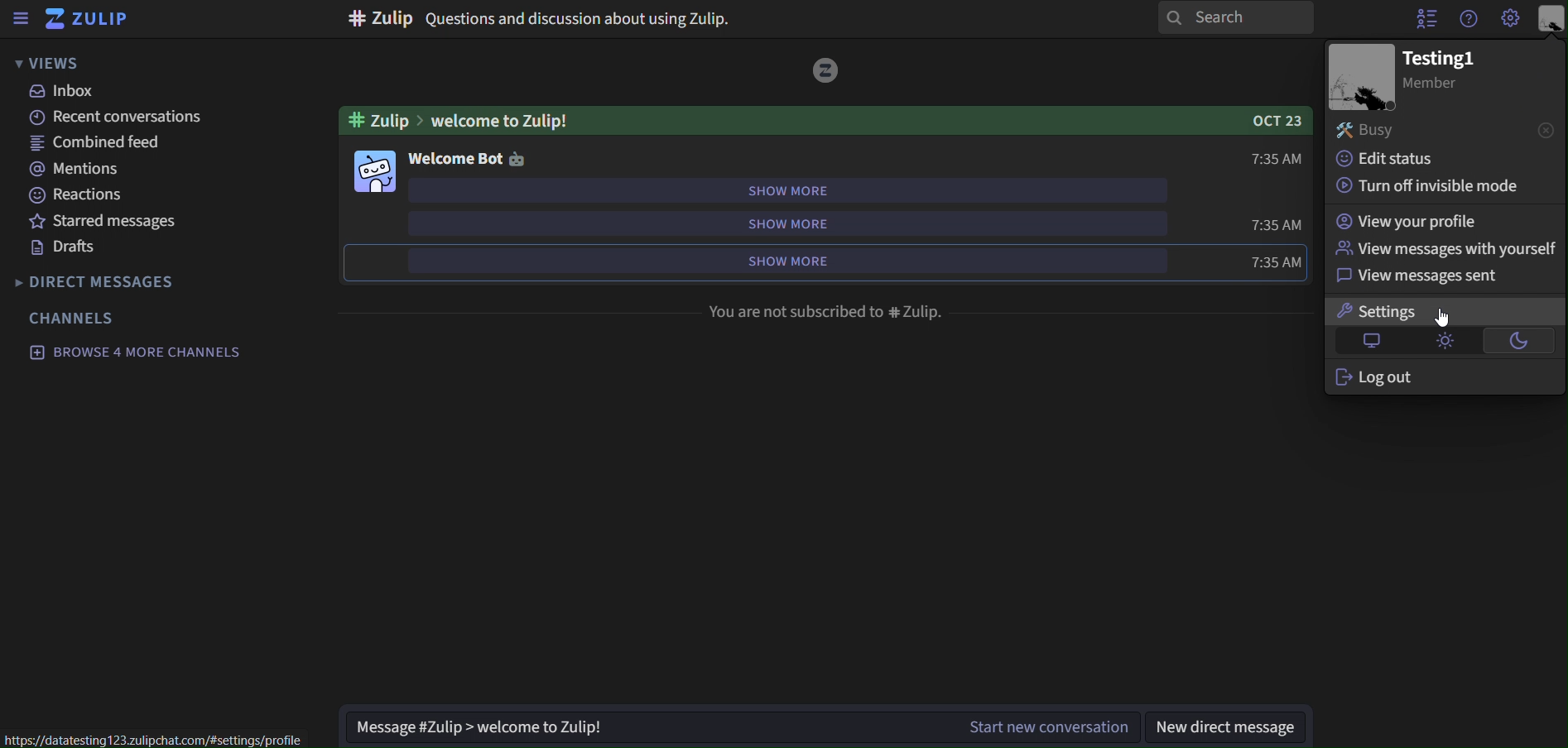 Image resolution: width=1568 pixels, height=748 pixels. Describe the element at coordinates (1228, 19) in the screenshot. I see `search` at that location.